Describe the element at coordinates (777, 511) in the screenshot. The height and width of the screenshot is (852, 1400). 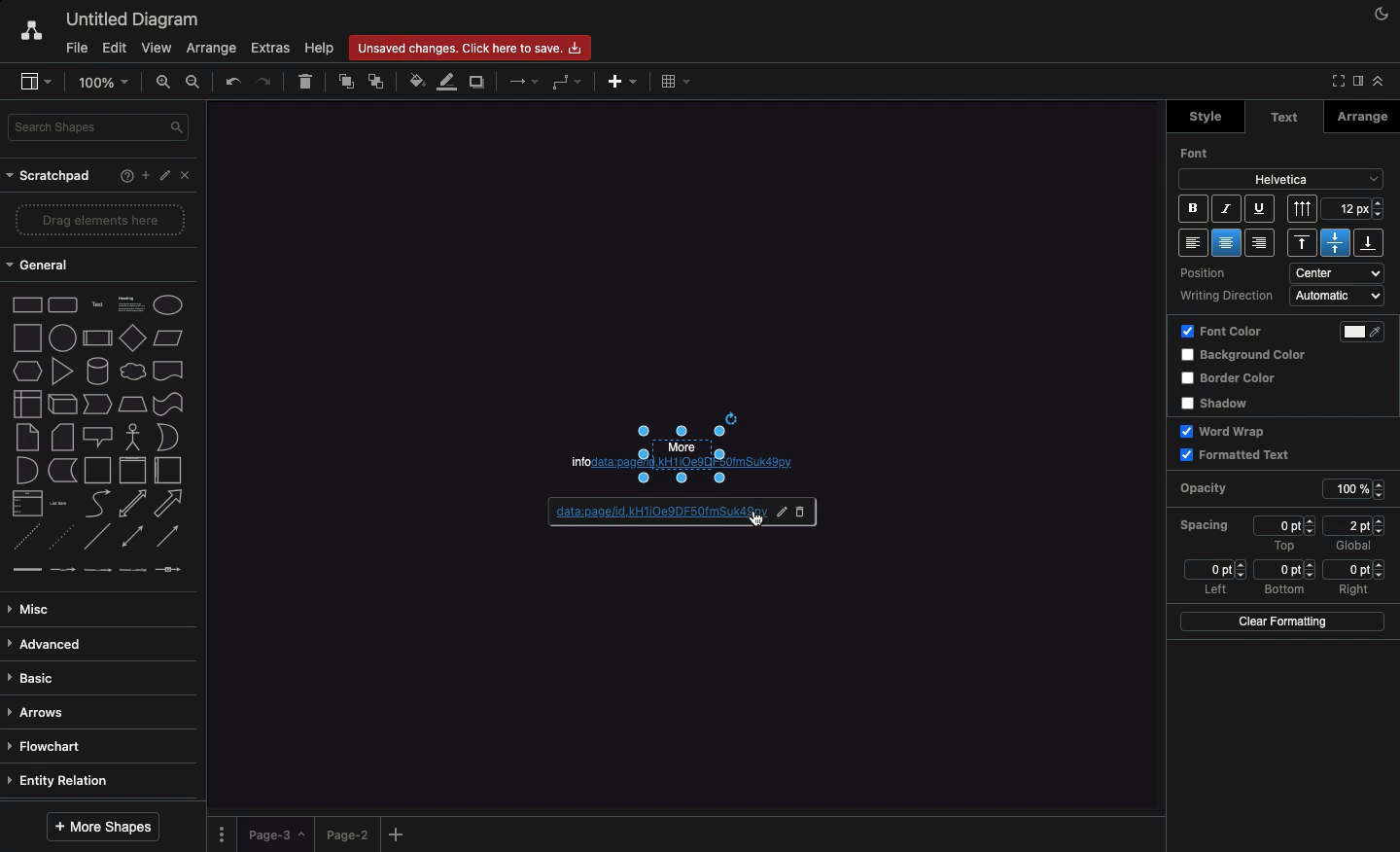
I see `Edit` at that location.